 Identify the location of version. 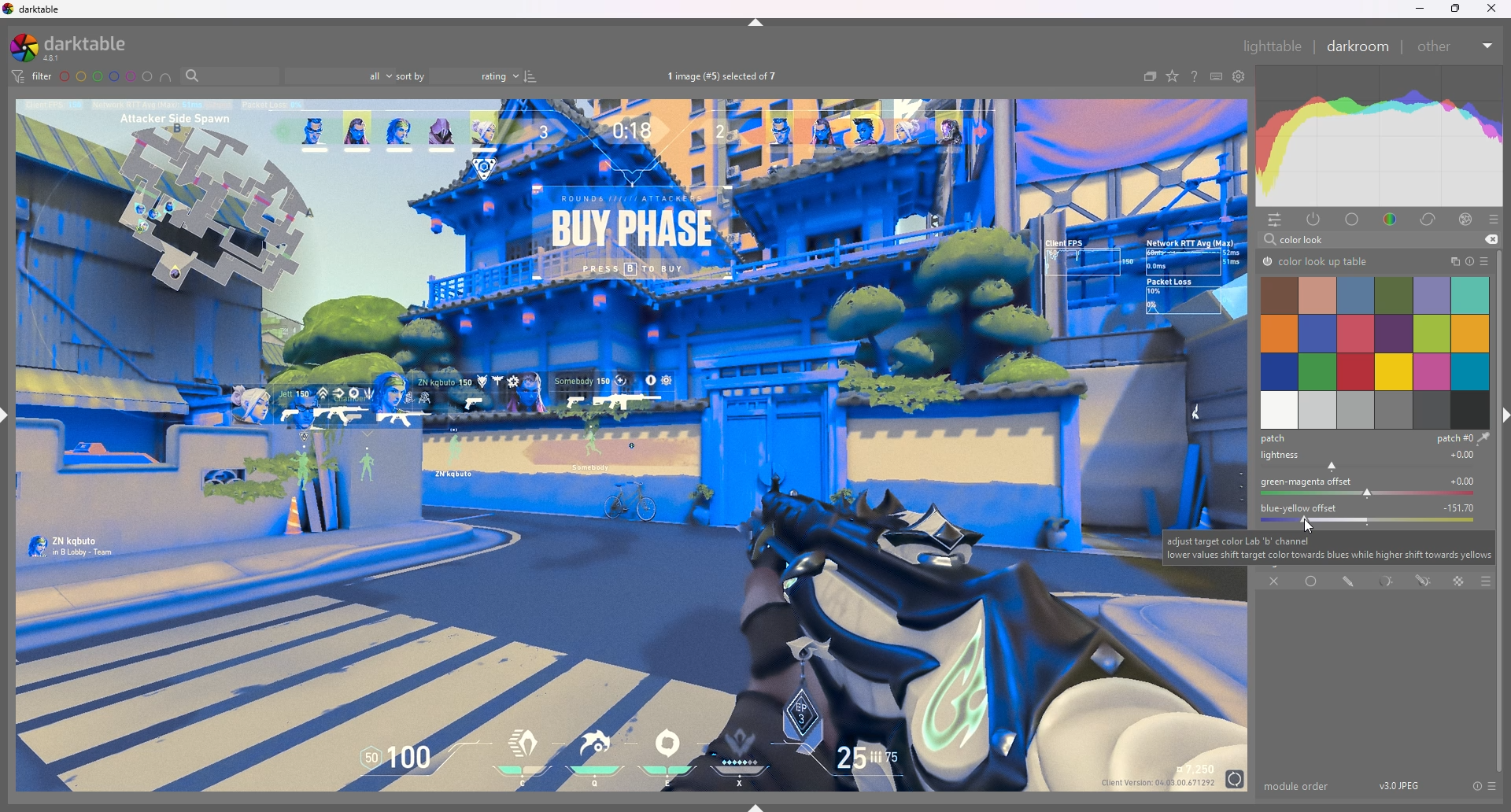
(1399, 785).